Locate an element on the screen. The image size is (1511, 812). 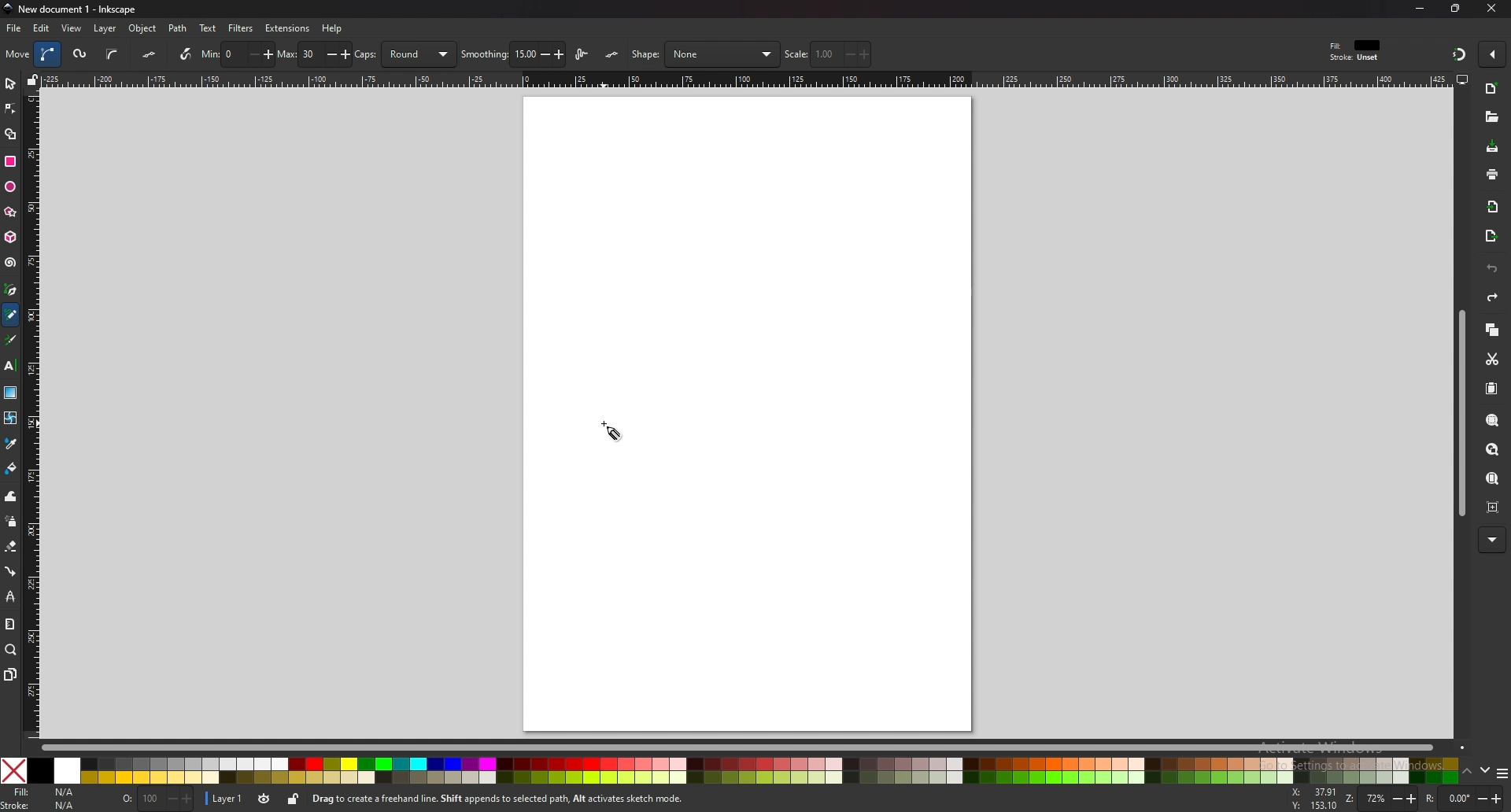
flatten spiro is located at coordinates (150, 54).